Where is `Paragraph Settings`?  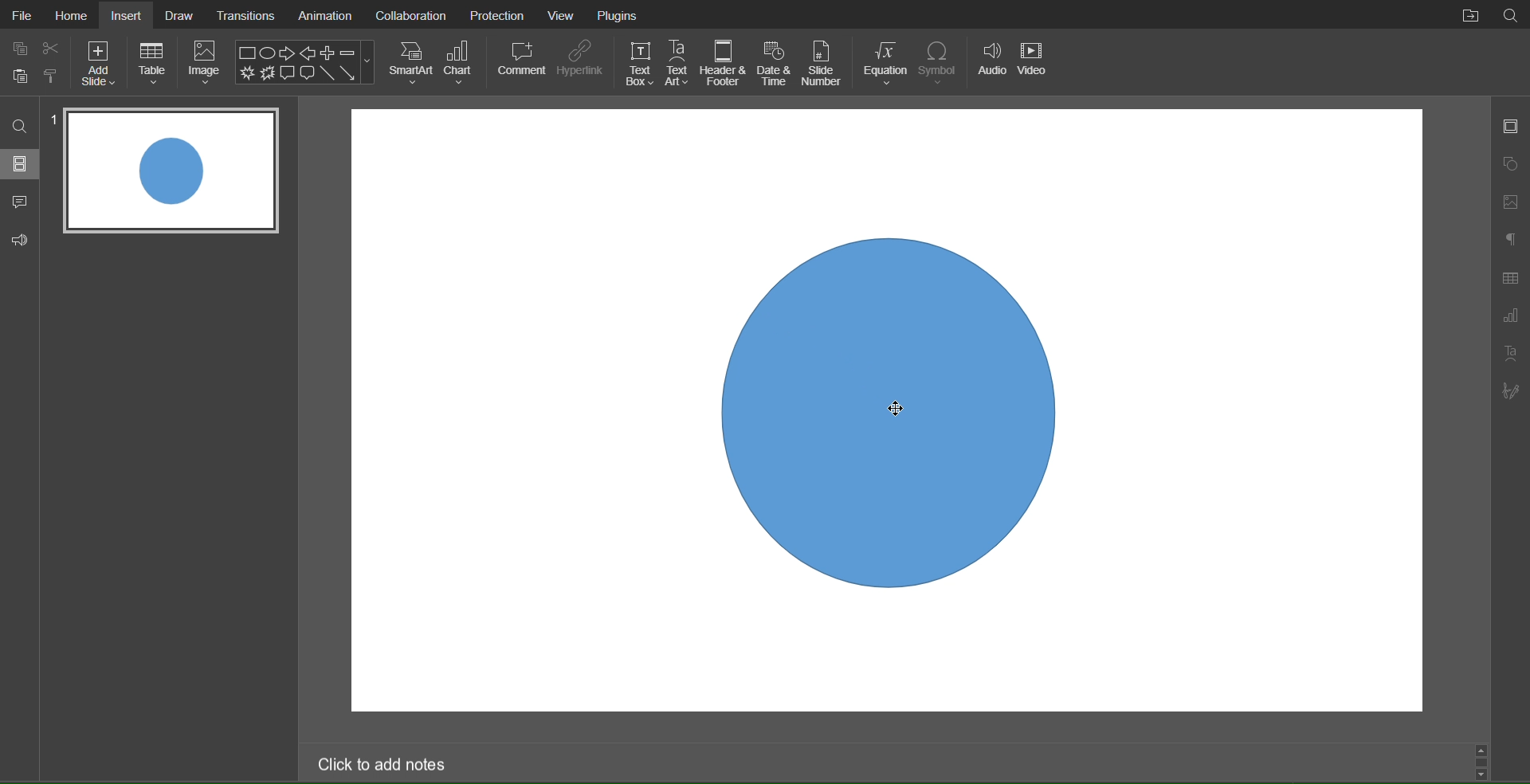 Paragraph Settings is located at coordinates (1509, 241).